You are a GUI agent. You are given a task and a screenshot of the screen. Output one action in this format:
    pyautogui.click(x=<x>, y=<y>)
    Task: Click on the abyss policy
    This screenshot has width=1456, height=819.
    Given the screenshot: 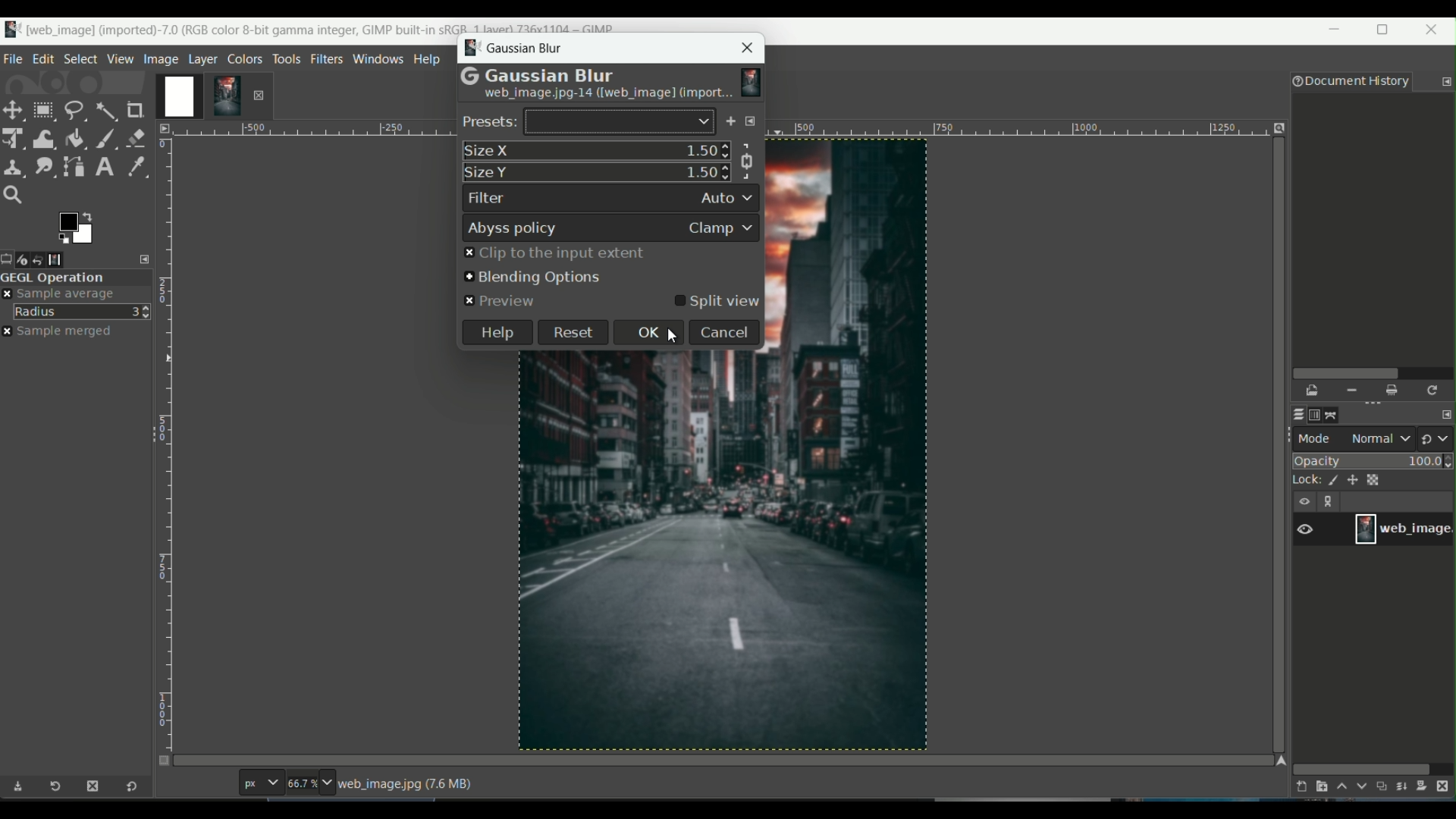 What is the action you would take?
    pyautogui.click(x=513, y=229)
    